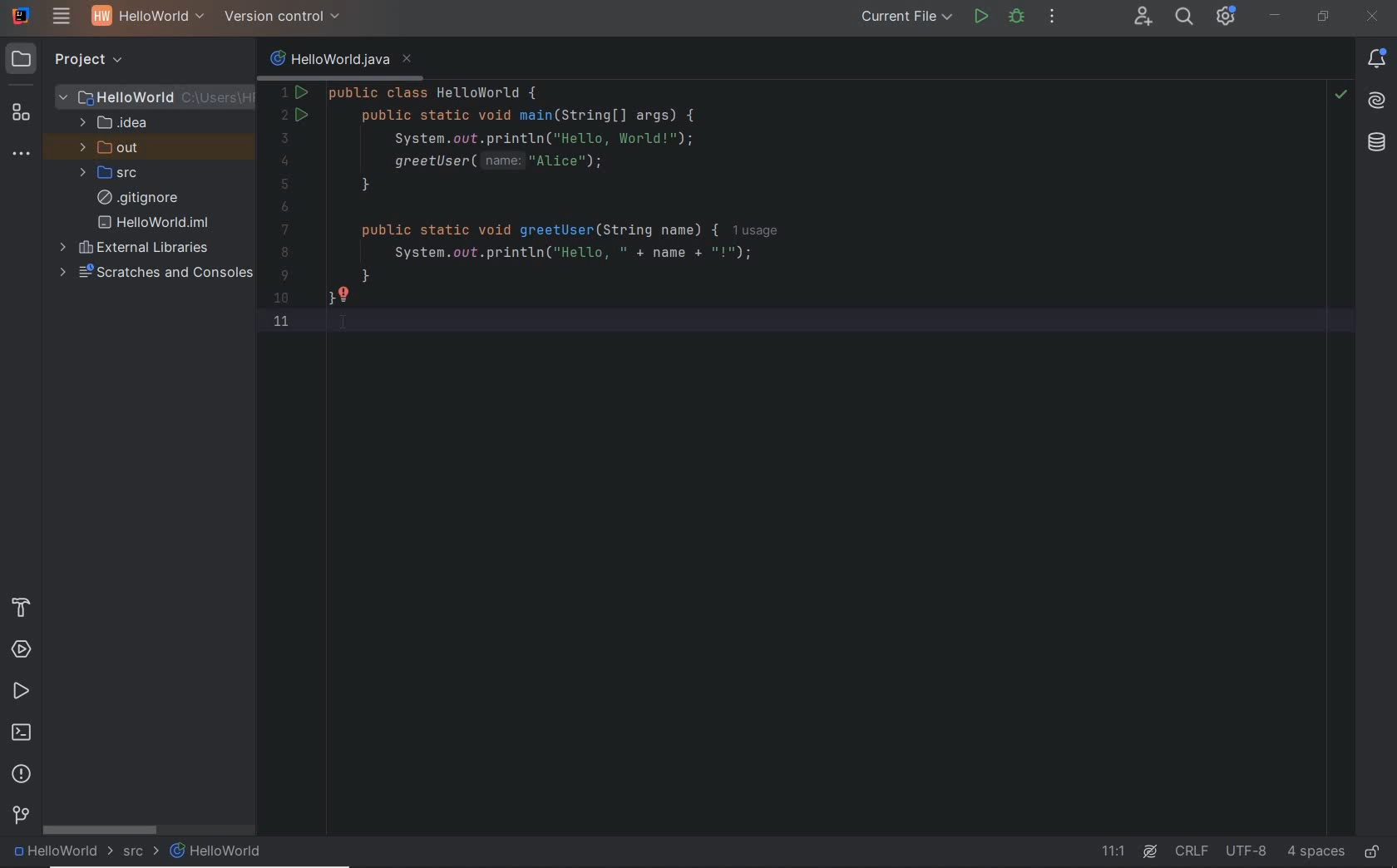 This screenshot has width=1397, height=868. What do you see at coordinates (905, 16) in the screenshot?
I see `current file` at bounding box center [905, 16].